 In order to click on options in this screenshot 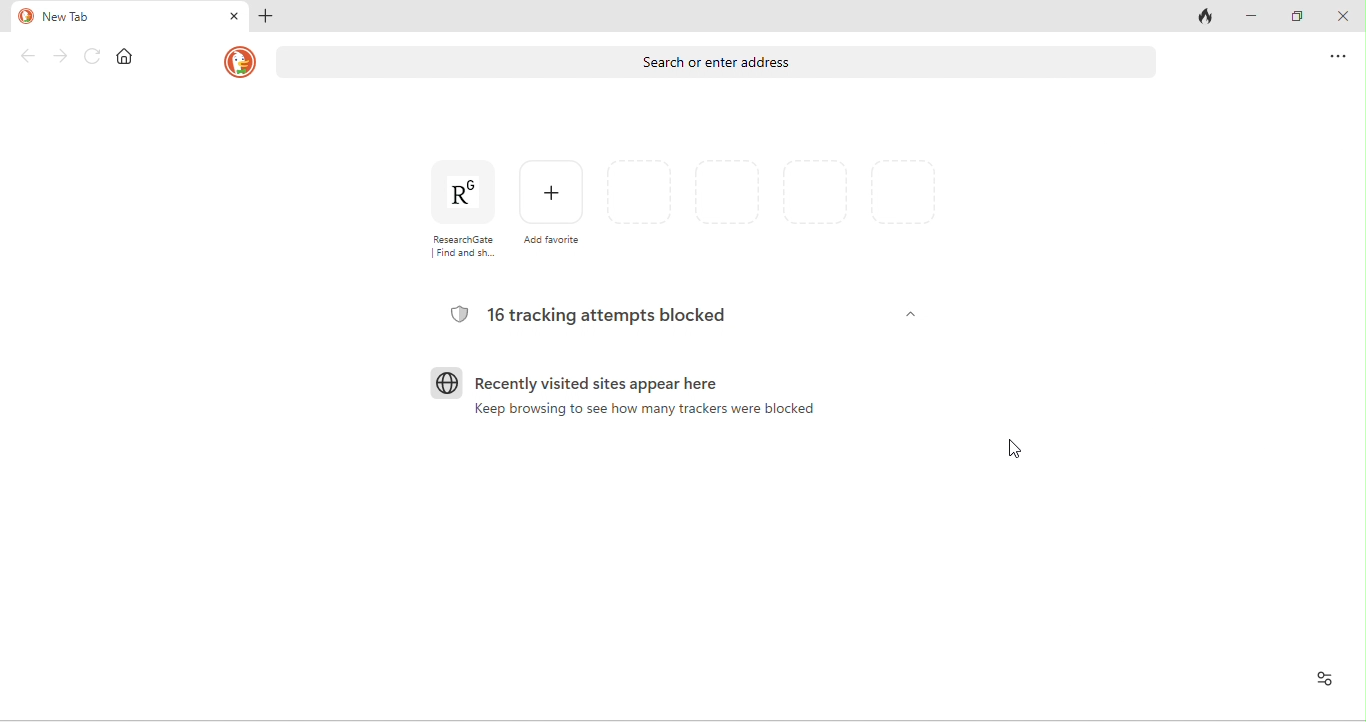, I will do `click(1320, 678)`.